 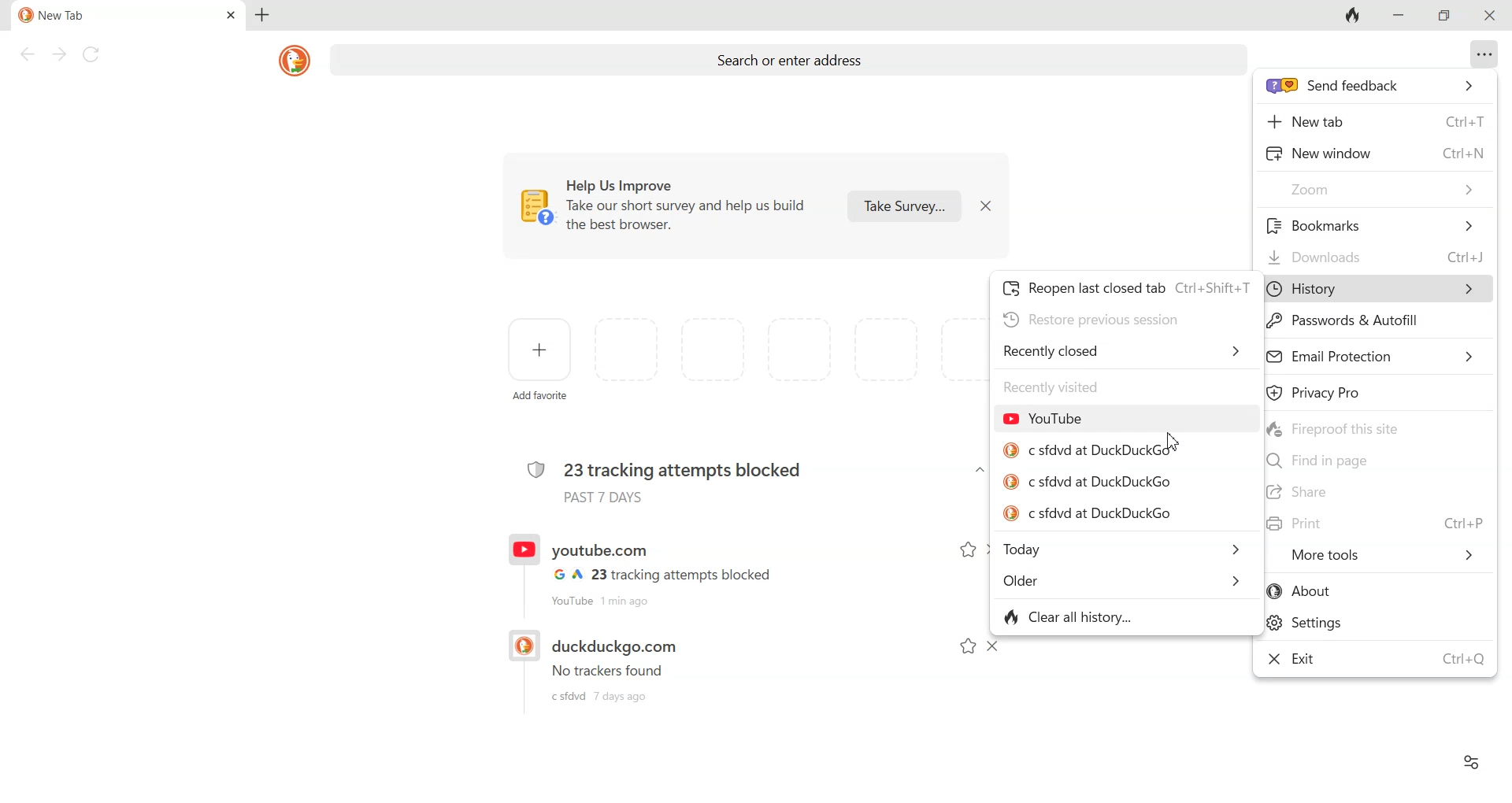 I want to click on Recently closed, so click(x=1124, y=350).